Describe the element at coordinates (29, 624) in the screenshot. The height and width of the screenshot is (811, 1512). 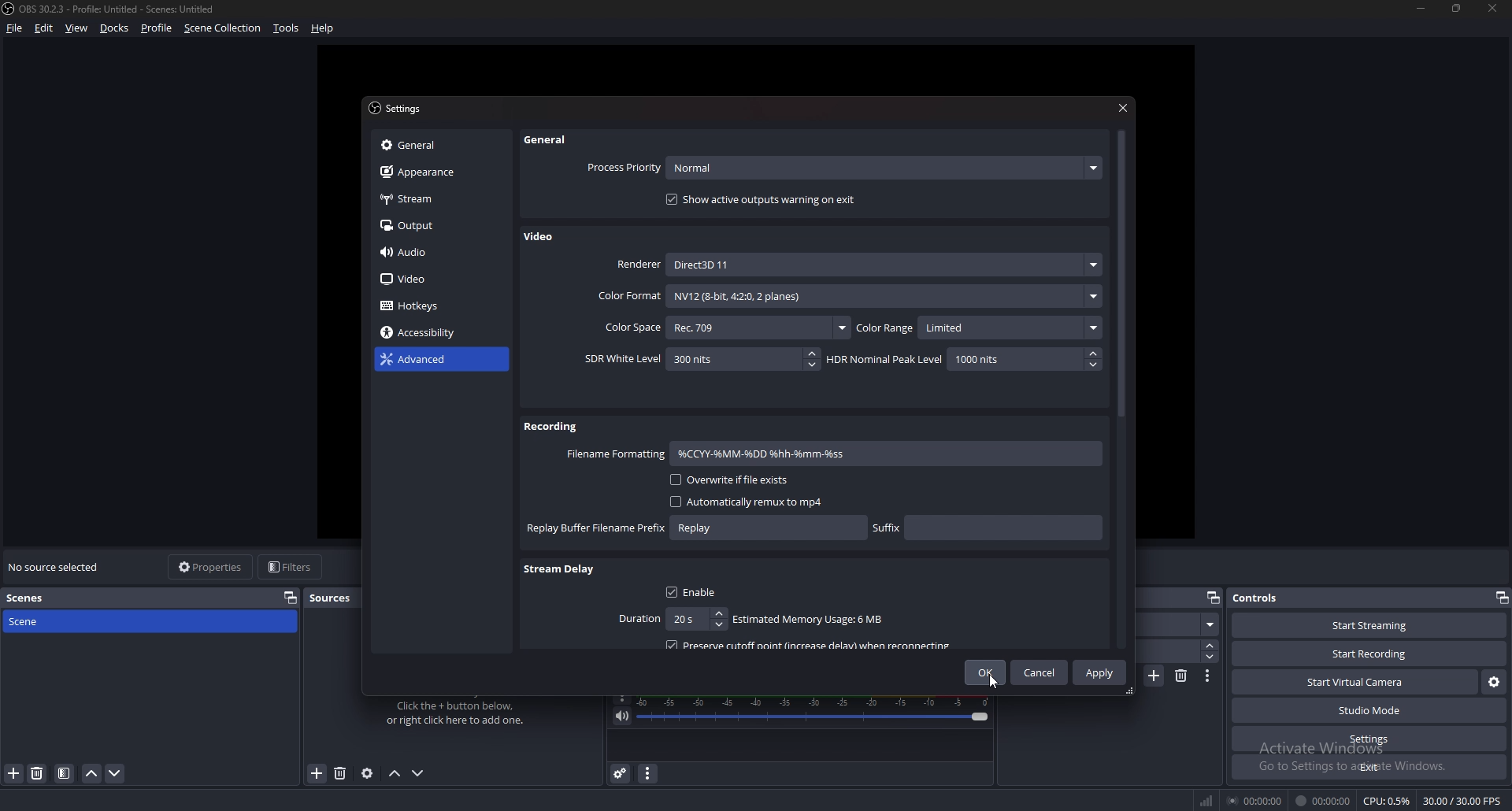
I see `scene` at that location.